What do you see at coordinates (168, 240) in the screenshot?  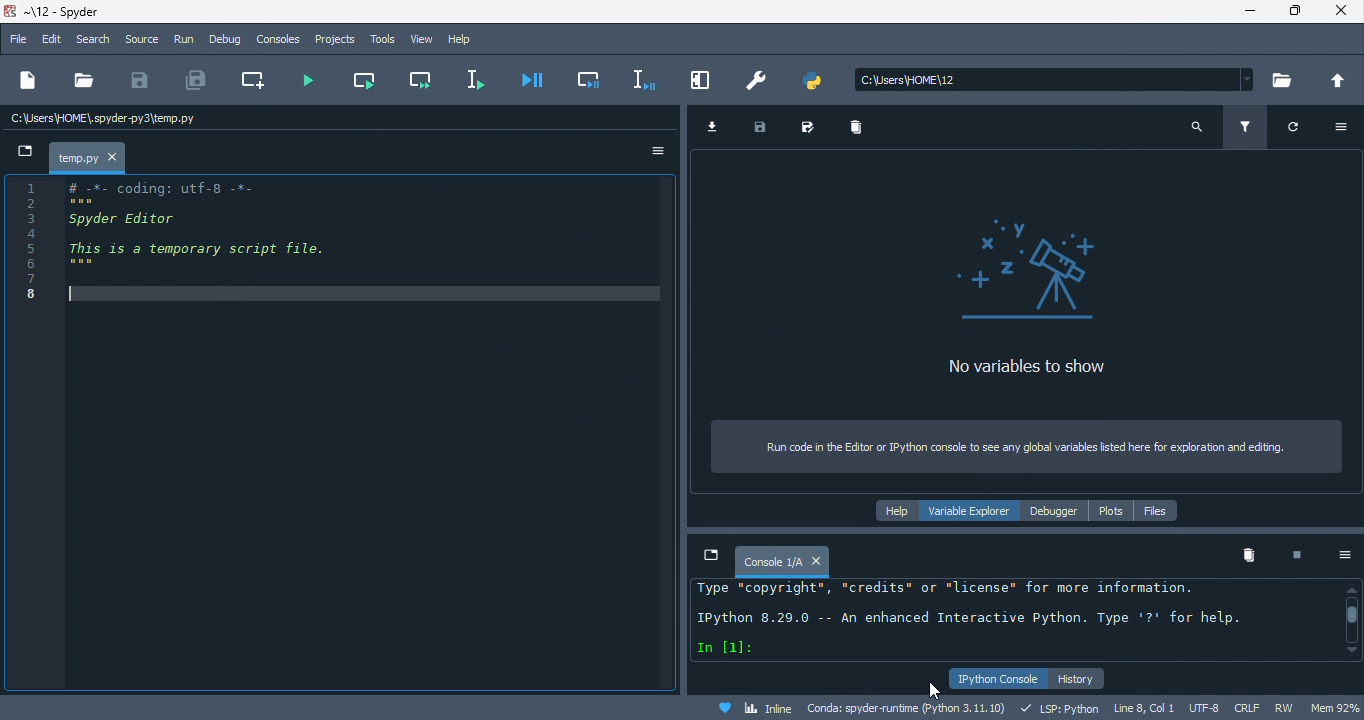 I see `coding` at bounding box center [168, 240].